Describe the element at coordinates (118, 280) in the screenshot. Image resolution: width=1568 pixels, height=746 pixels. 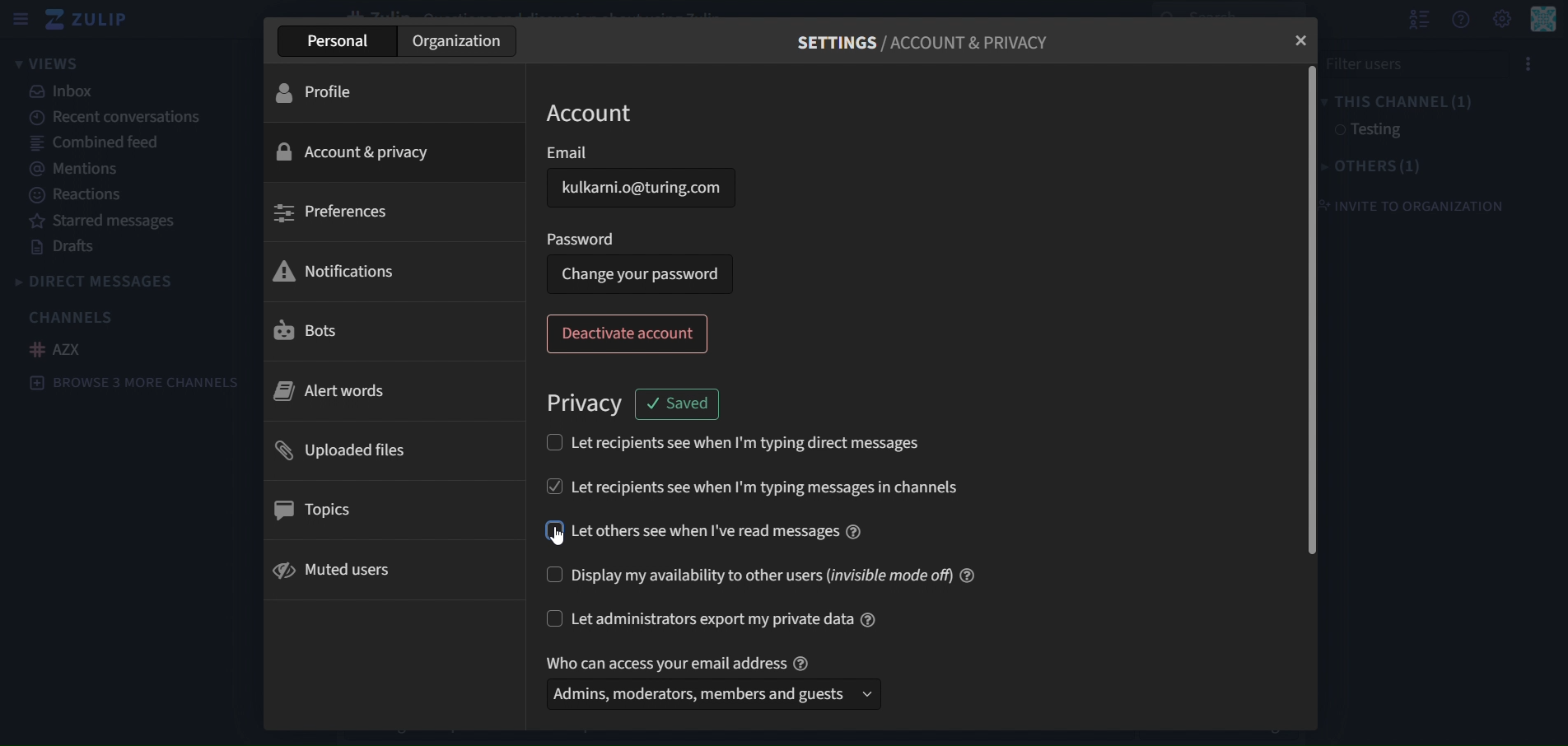
I see `direct messages` at that location.